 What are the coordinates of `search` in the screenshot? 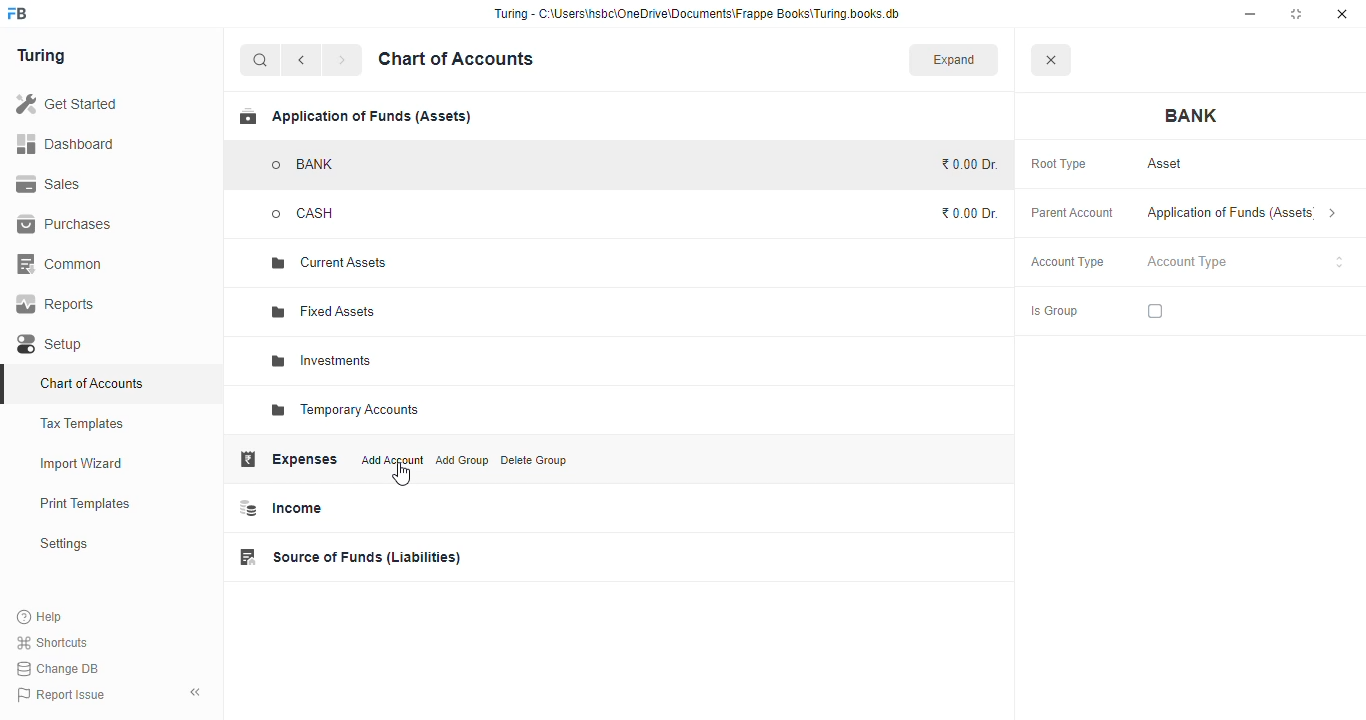 It's located at (261, 60).